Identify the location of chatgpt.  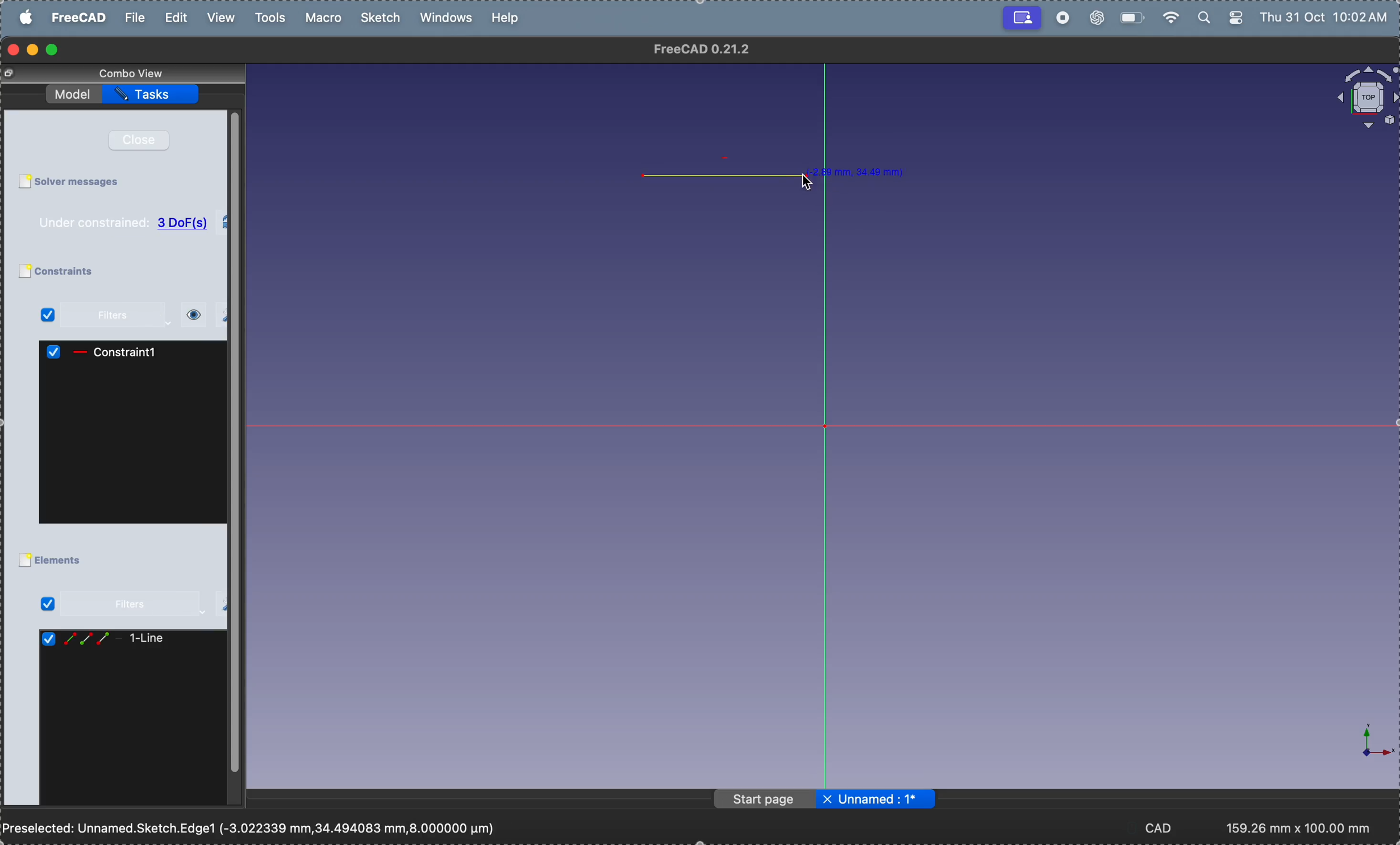
(1095, 19).